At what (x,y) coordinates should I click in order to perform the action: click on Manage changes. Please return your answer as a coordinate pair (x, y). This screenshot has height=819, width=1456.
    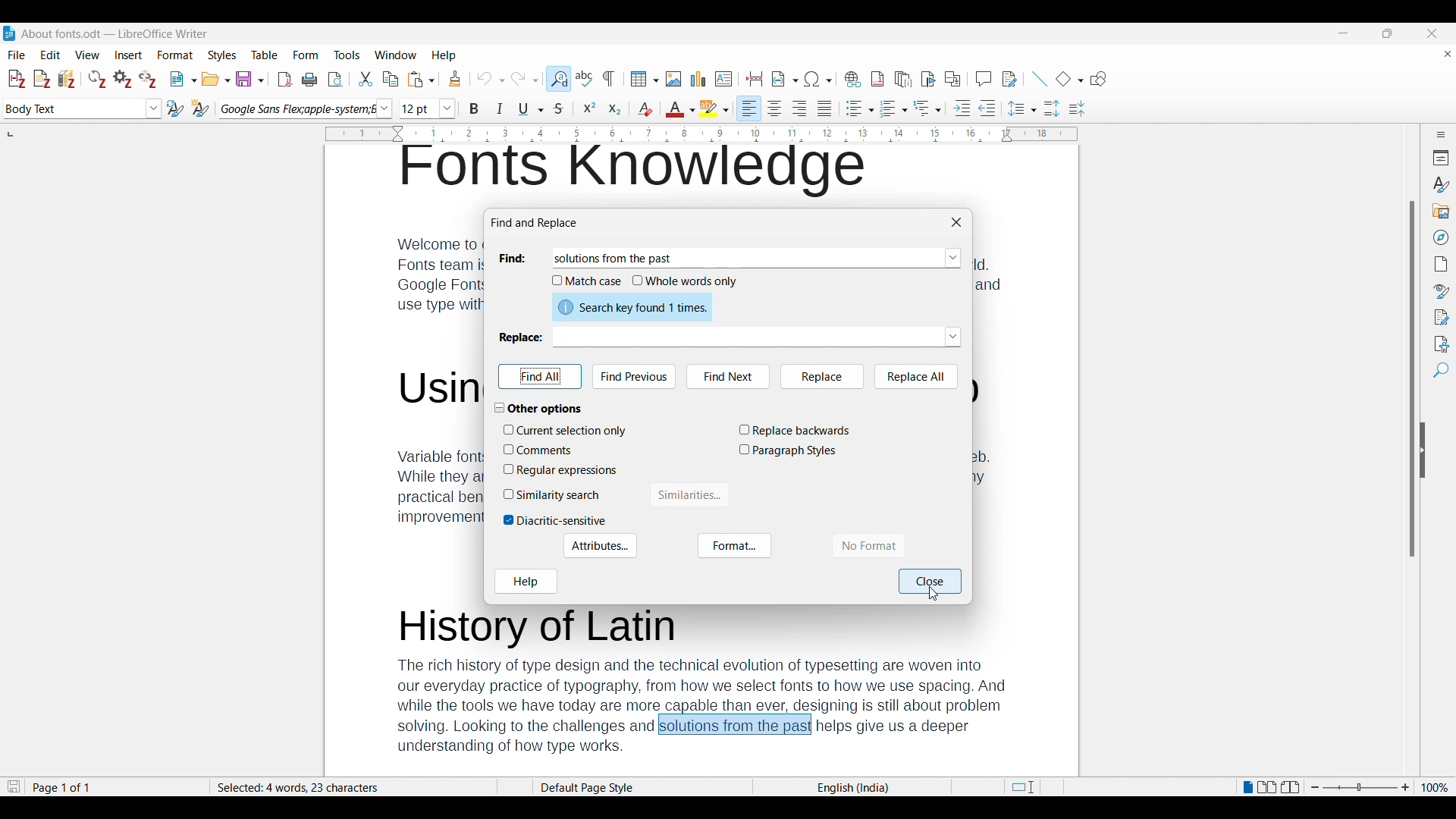
    Looking at the image, I should click on (1439, 318).